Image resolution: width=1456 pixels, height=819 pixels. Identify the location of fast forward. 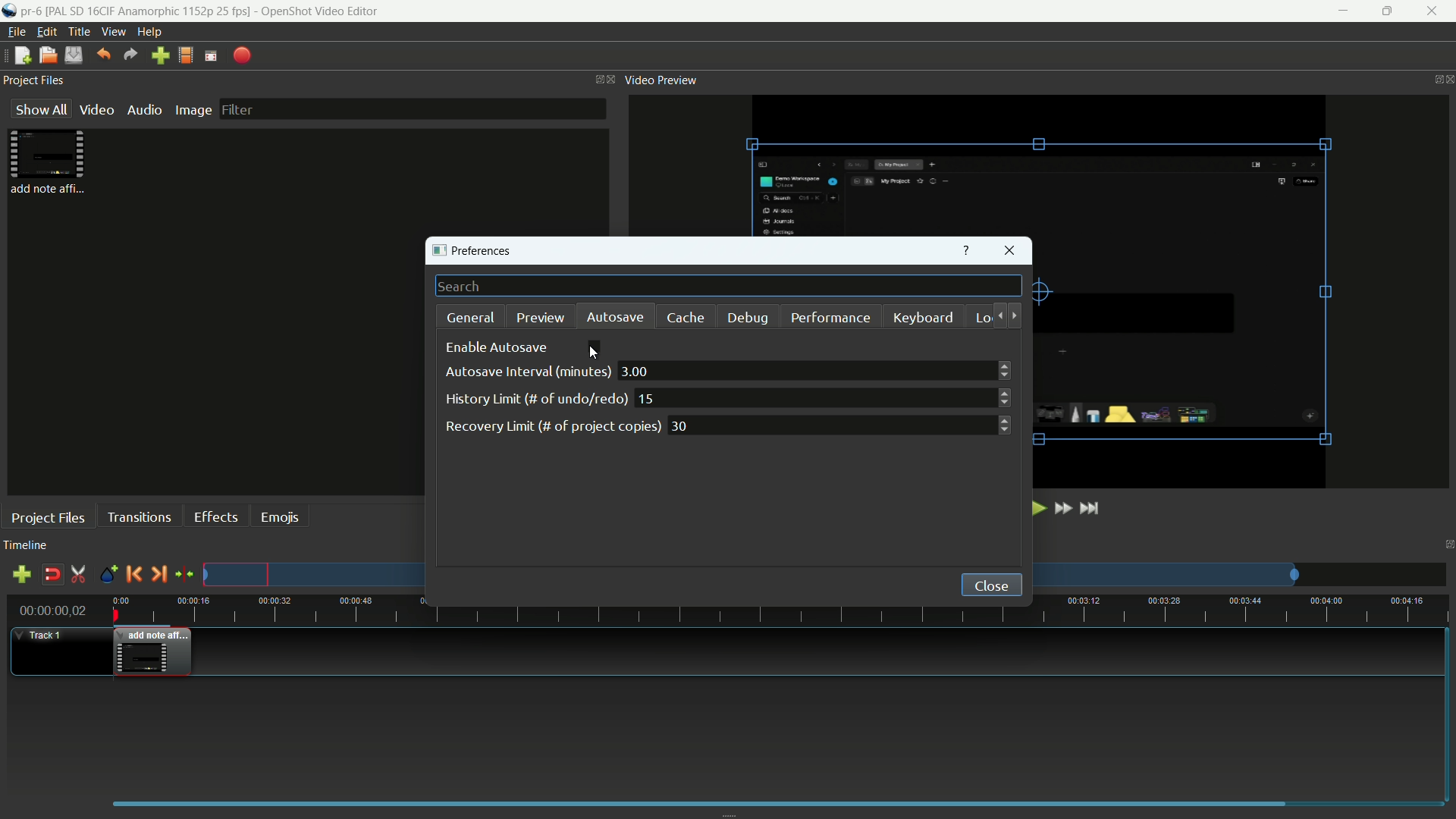
(1062, 508).